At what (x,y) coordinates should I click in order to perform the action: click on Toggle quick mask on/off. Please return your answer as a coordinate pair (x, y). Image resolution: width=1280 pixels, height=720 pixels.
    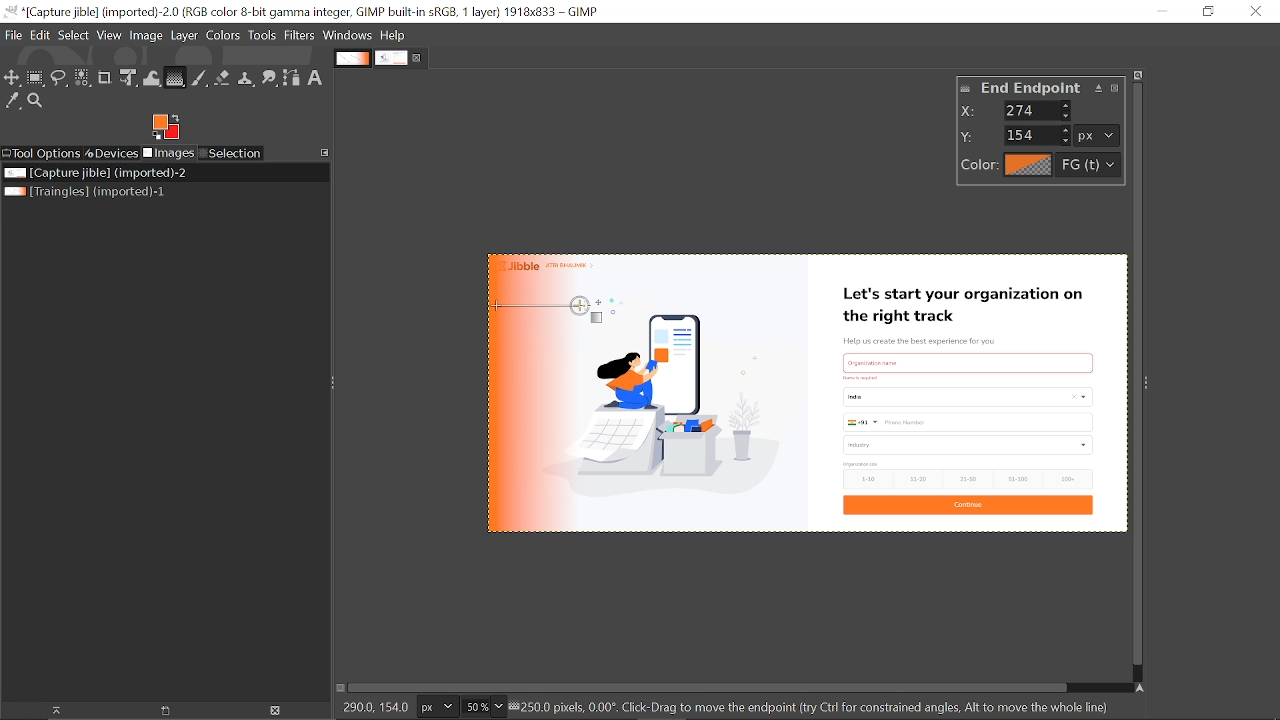
    Looking at the image, I should click on (341, 689).